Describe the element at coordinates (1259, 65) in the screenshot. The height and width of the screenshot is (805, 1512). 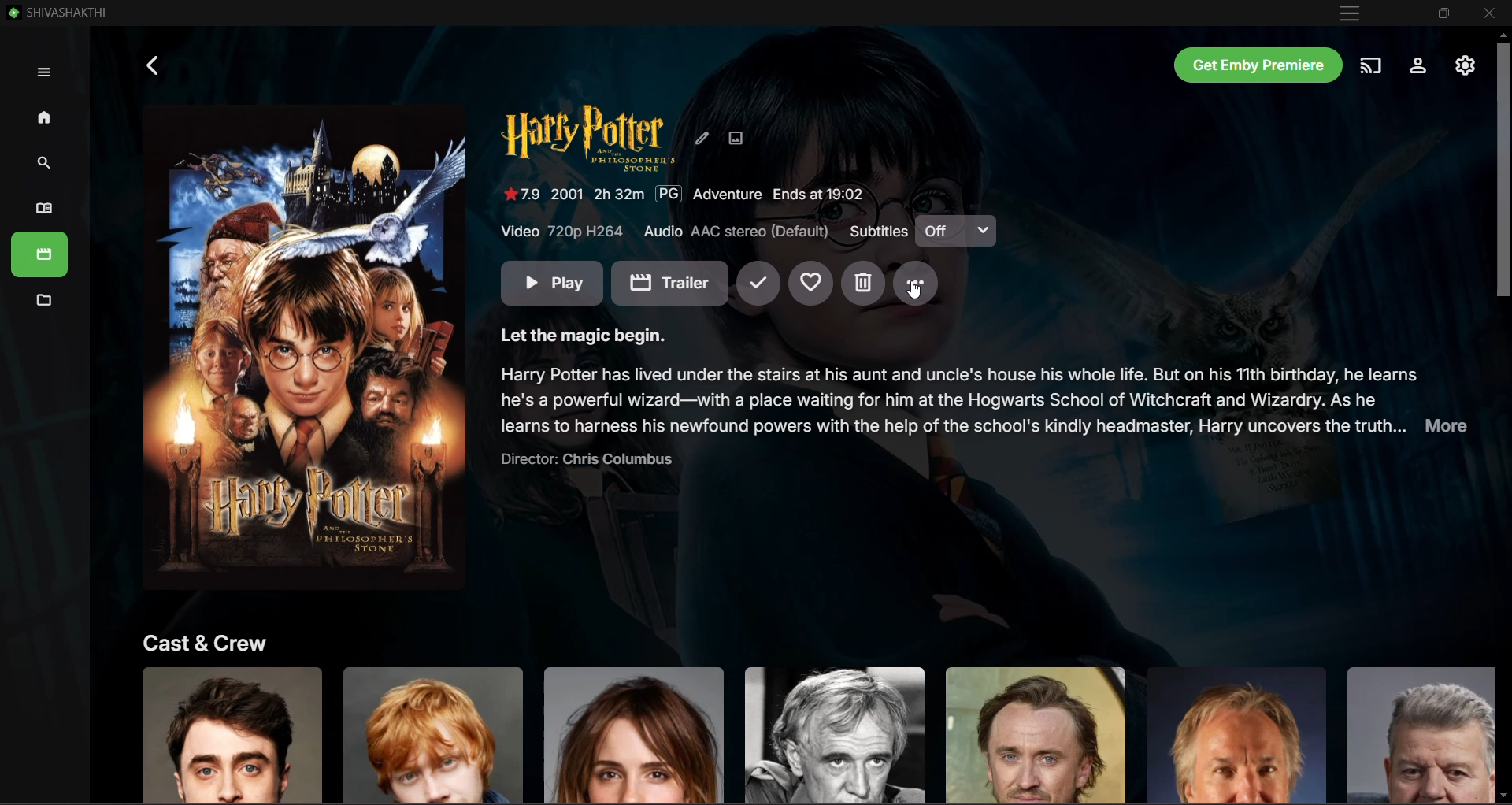
I see `Get Emby Premier` at that location.